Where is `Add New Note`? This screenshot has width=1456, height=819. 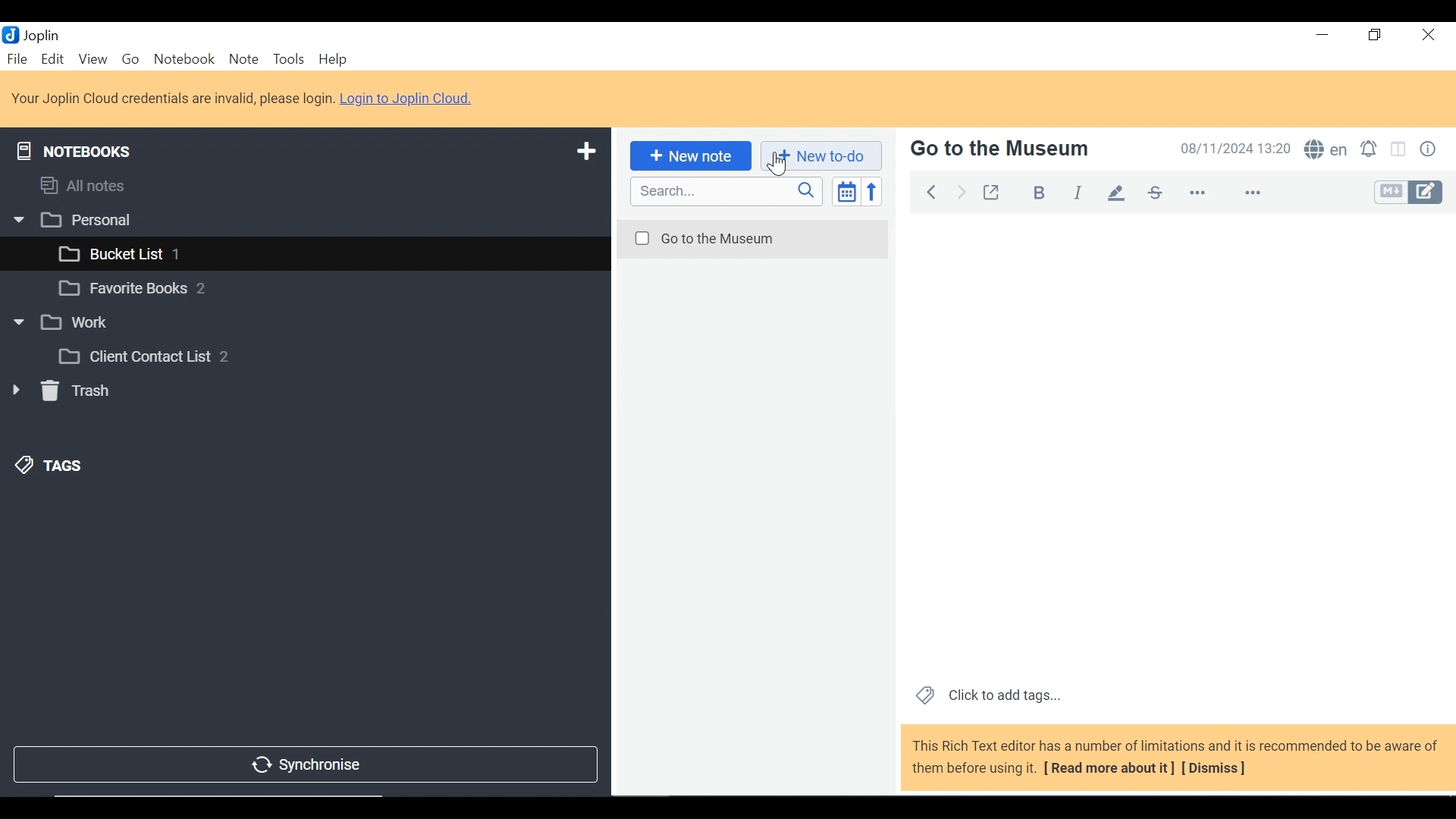 Add New Note is located at coordinates (689, 156).